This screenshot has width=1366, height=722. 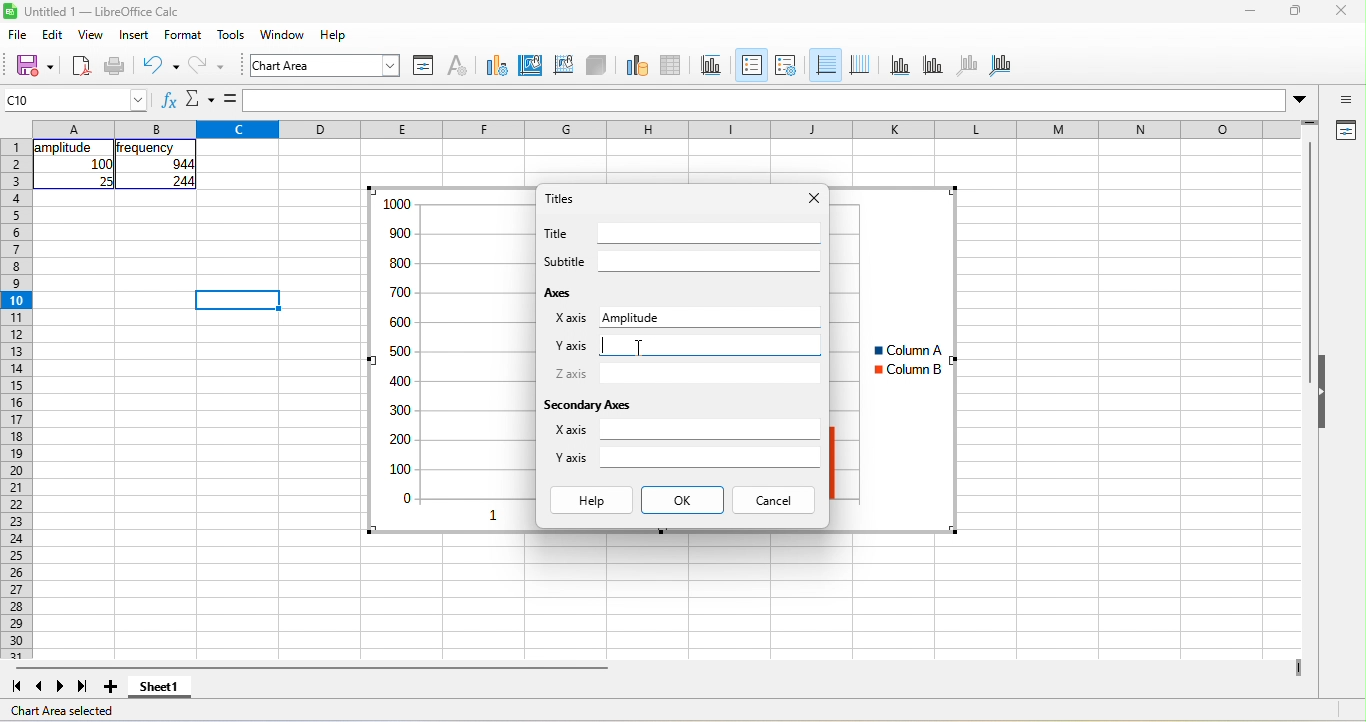 I want to click on chart wall, so click(x=563, y=66).